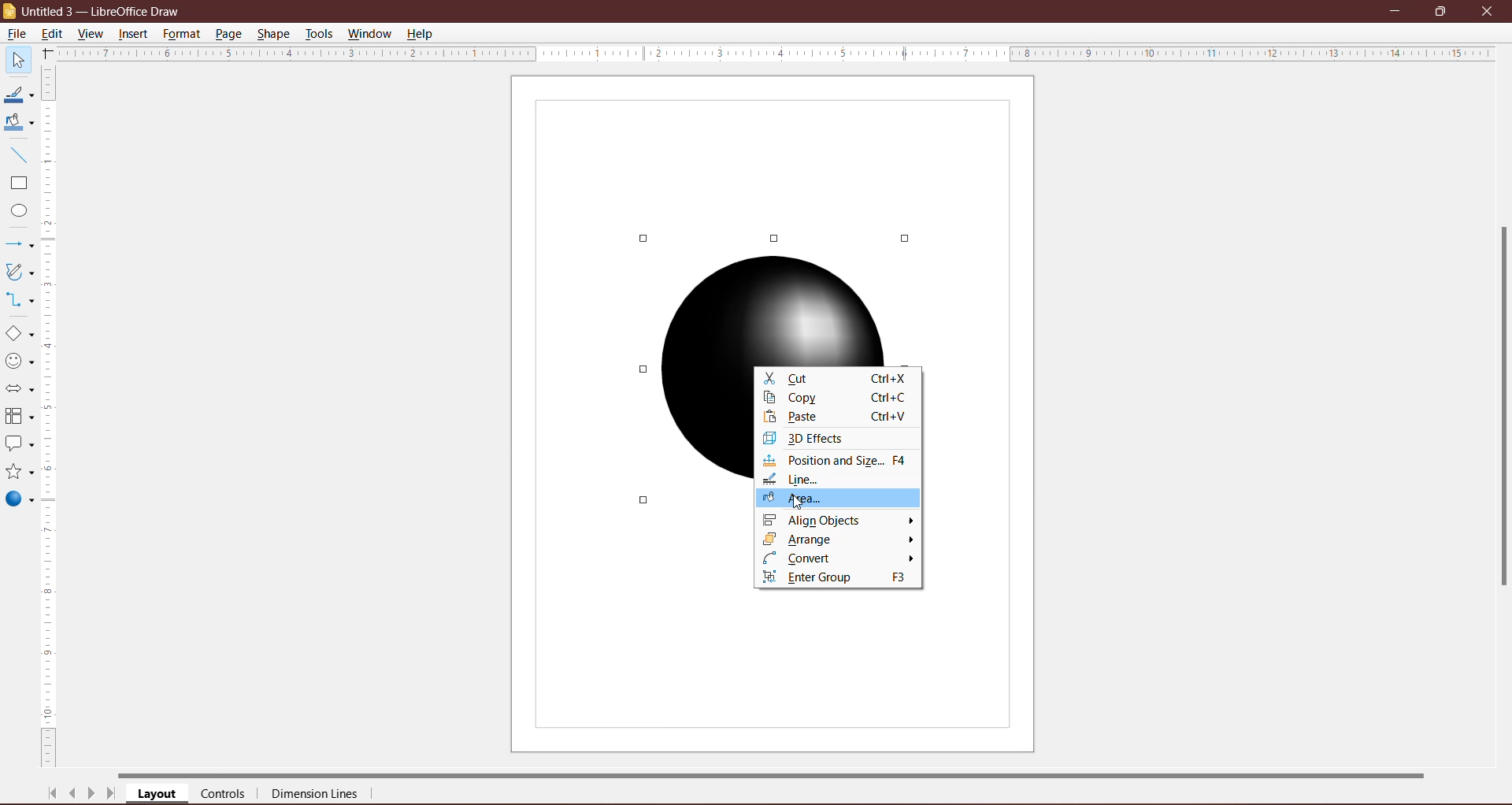 This screenshot has width=1512, height=805. Describe the element at coordinates (811, 438) in the screenshot. I see `3D Effects` at that location.